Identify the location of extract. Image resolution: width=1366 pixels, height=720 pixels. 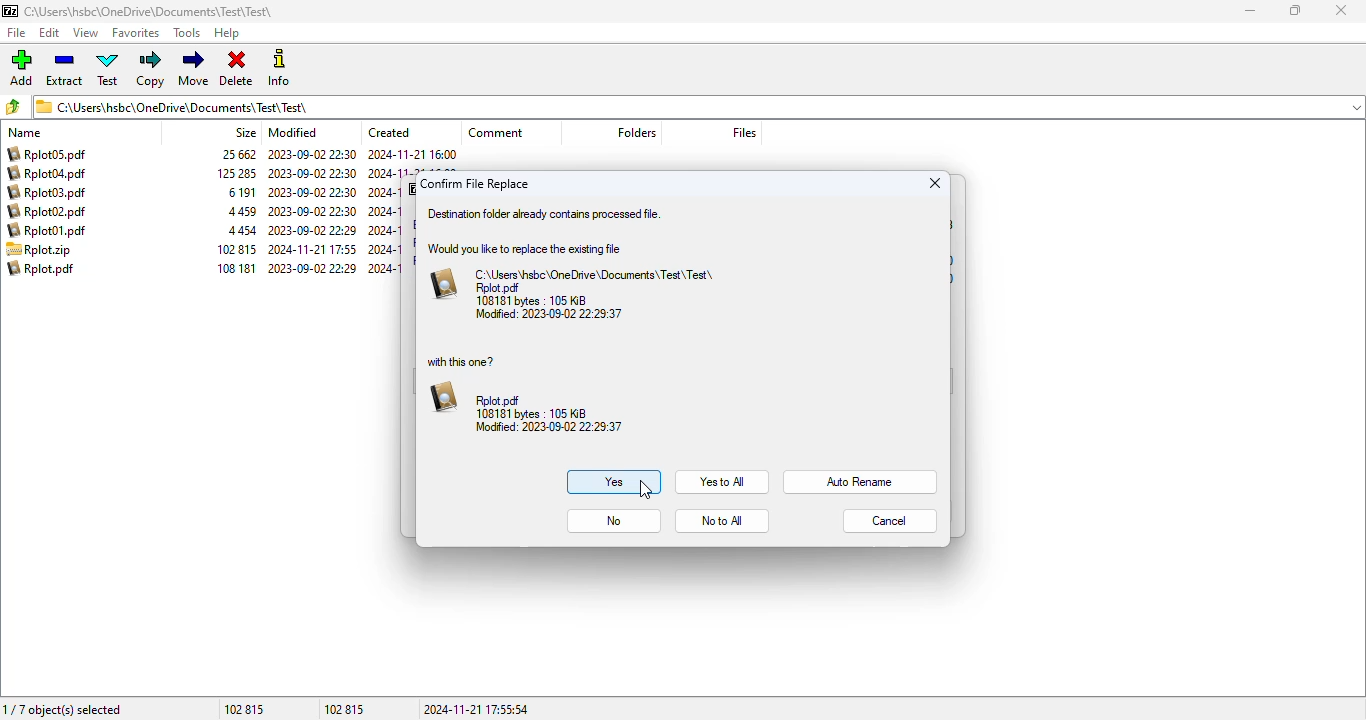
(66, 68).